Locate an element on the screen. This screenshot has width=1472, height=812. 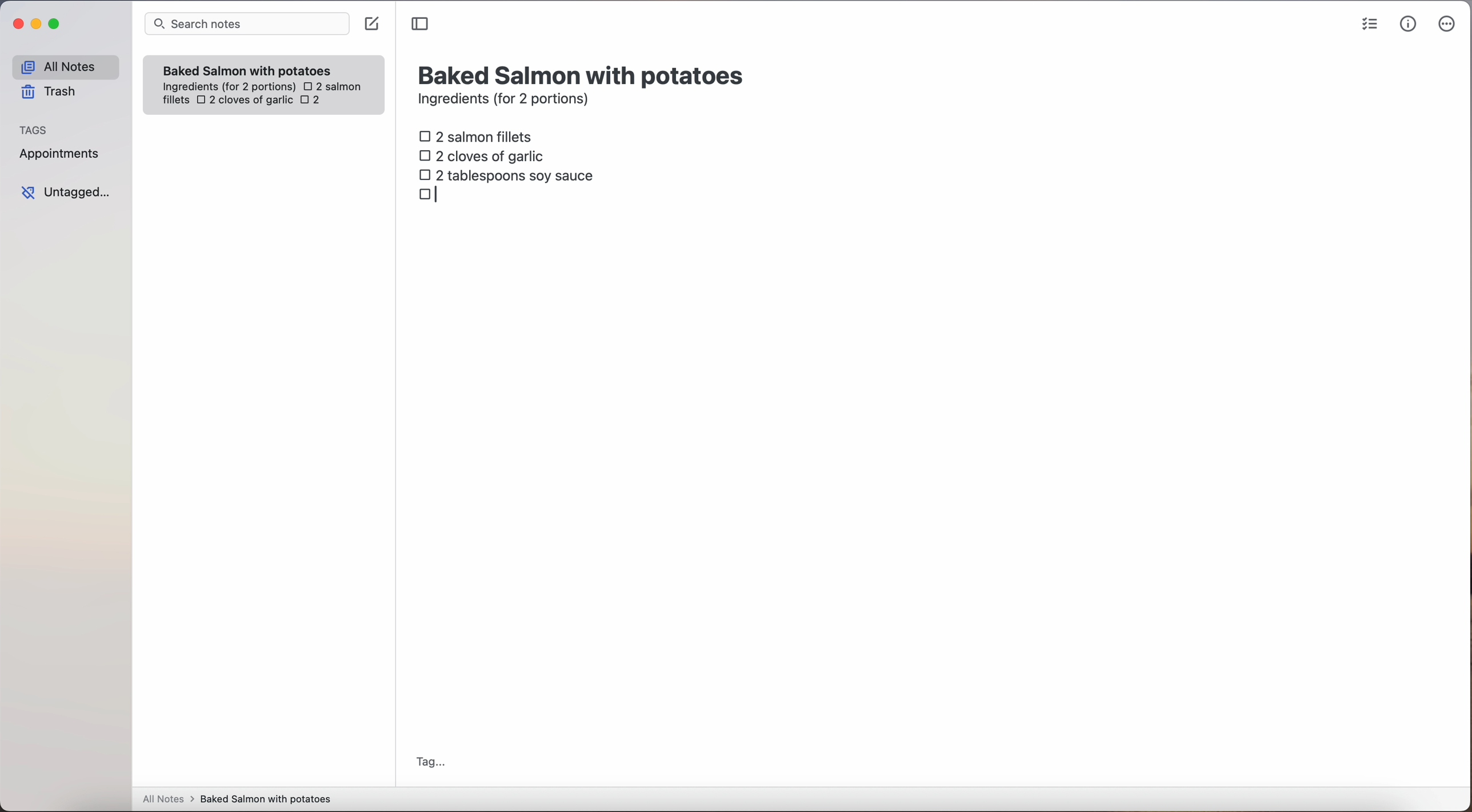
ingredientes (for 2 portions) is located at coordinates (227, 87).